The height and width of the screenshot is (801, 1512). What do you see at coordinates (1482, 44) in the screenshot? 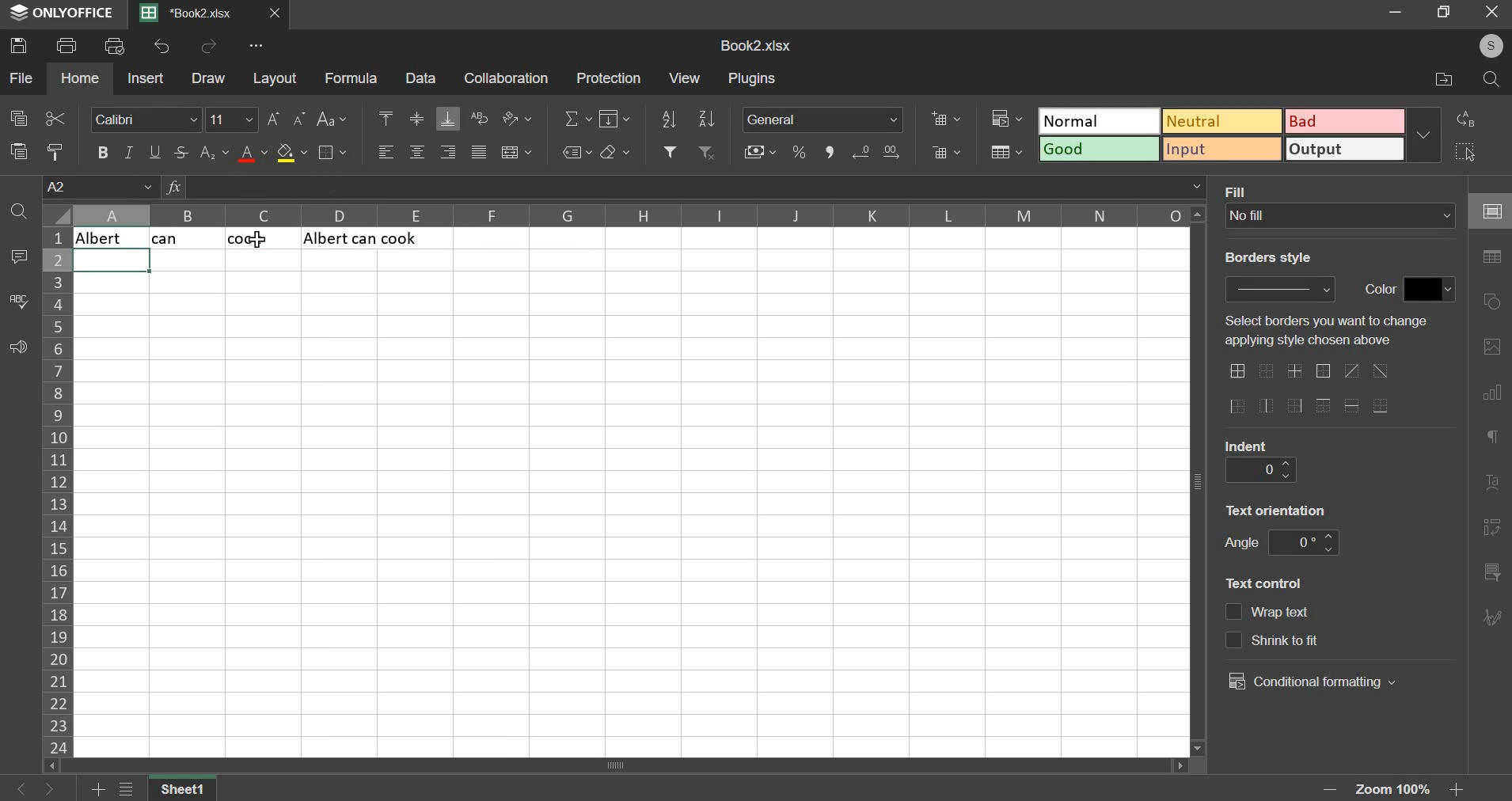
I see `user's account` at bounding box center [1482, 44].